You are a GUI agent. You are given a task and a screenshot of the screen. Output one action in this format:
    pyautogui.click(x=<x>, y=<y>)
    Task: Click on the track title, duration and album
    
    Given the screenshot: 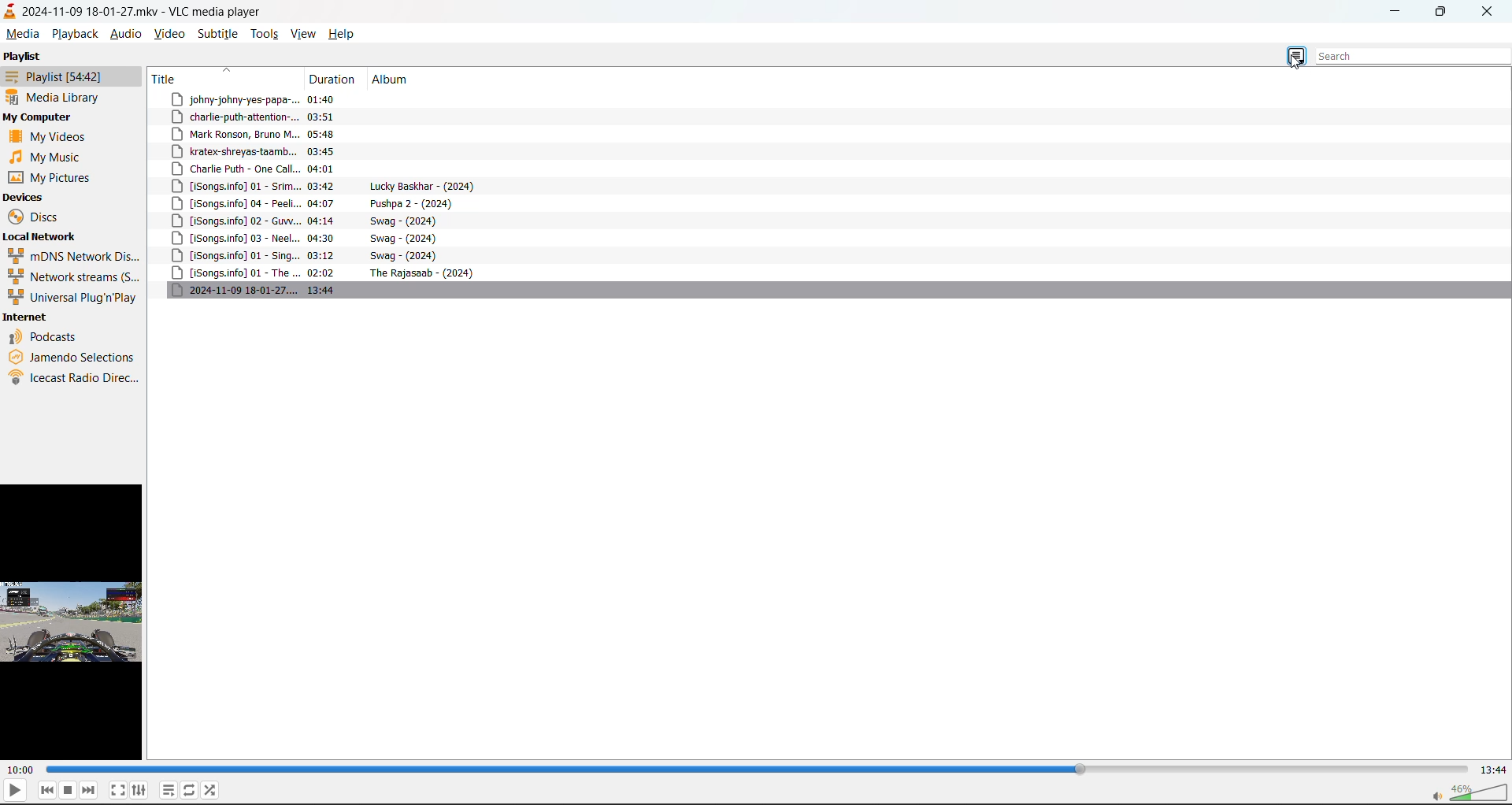 What is the action you would take?
    pyautogui.click(x=334, y=118)
    